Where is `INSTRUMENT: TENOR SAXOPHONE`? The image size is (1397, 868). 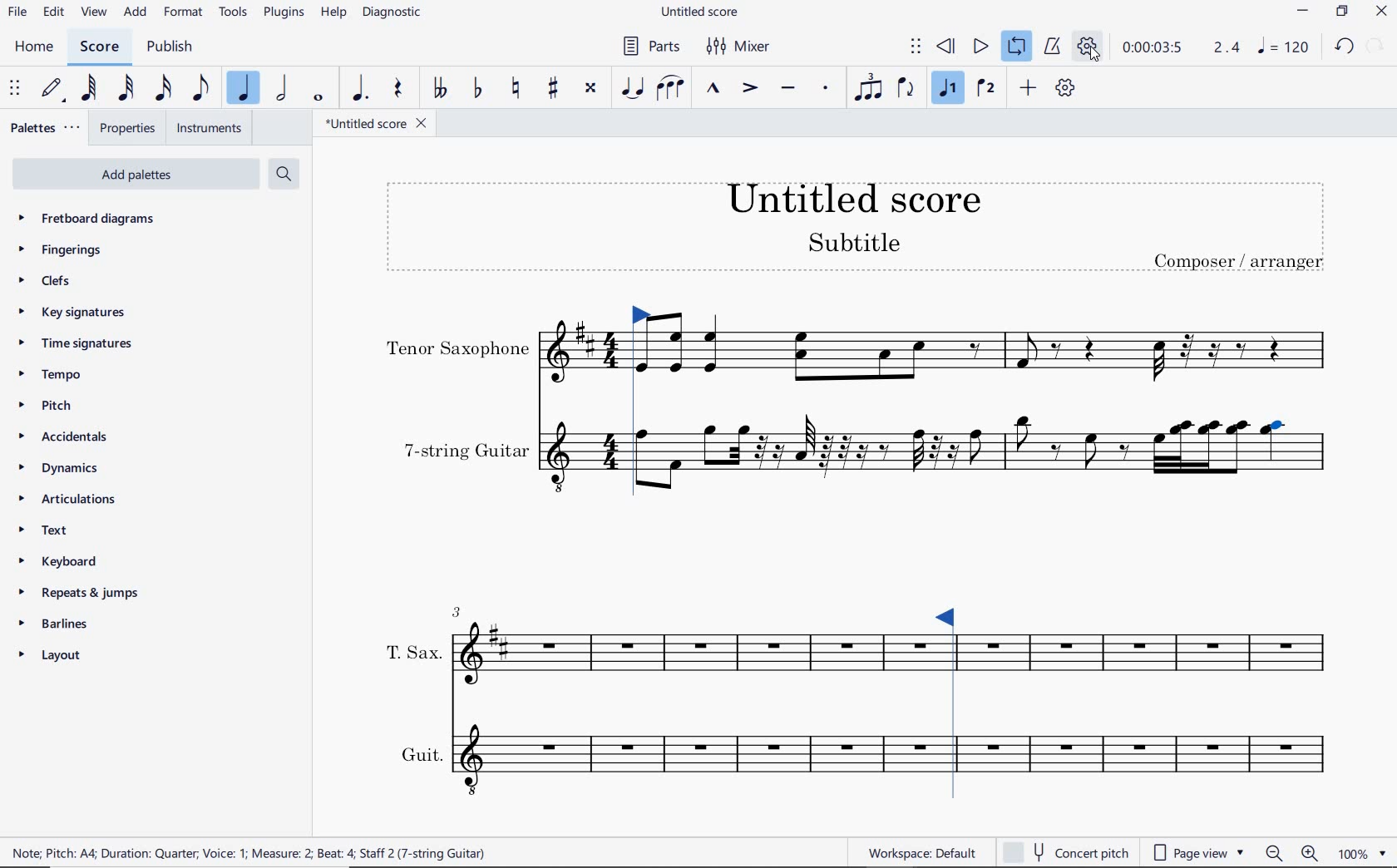
INSTRUMENT: TENOR SAXOPHONE is located at coordinates (496, 348).